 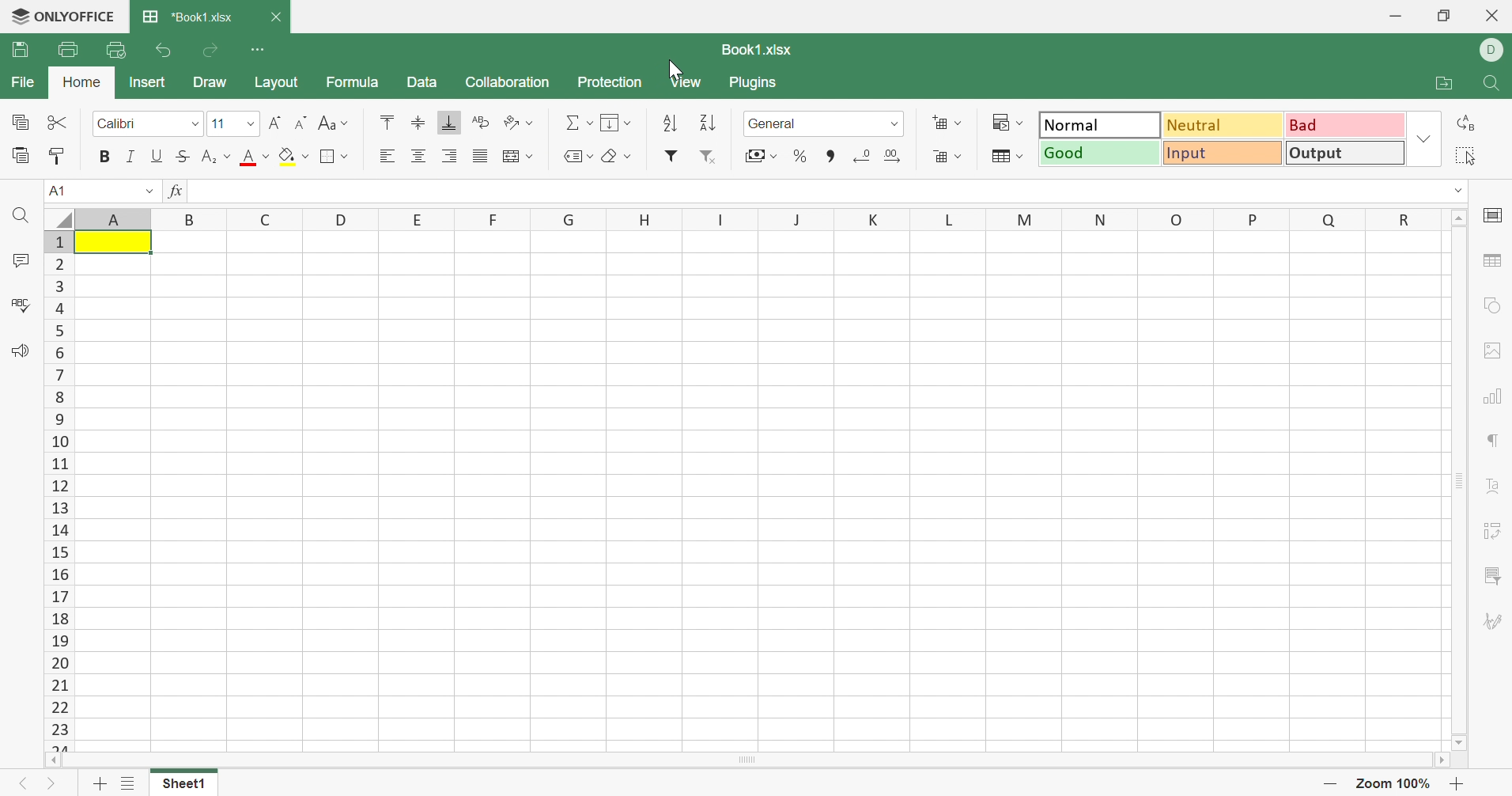 What do you see at coordinates (23, 302) in the screenshot?
I see `Check Spelling` at bounding box center [23, 302].